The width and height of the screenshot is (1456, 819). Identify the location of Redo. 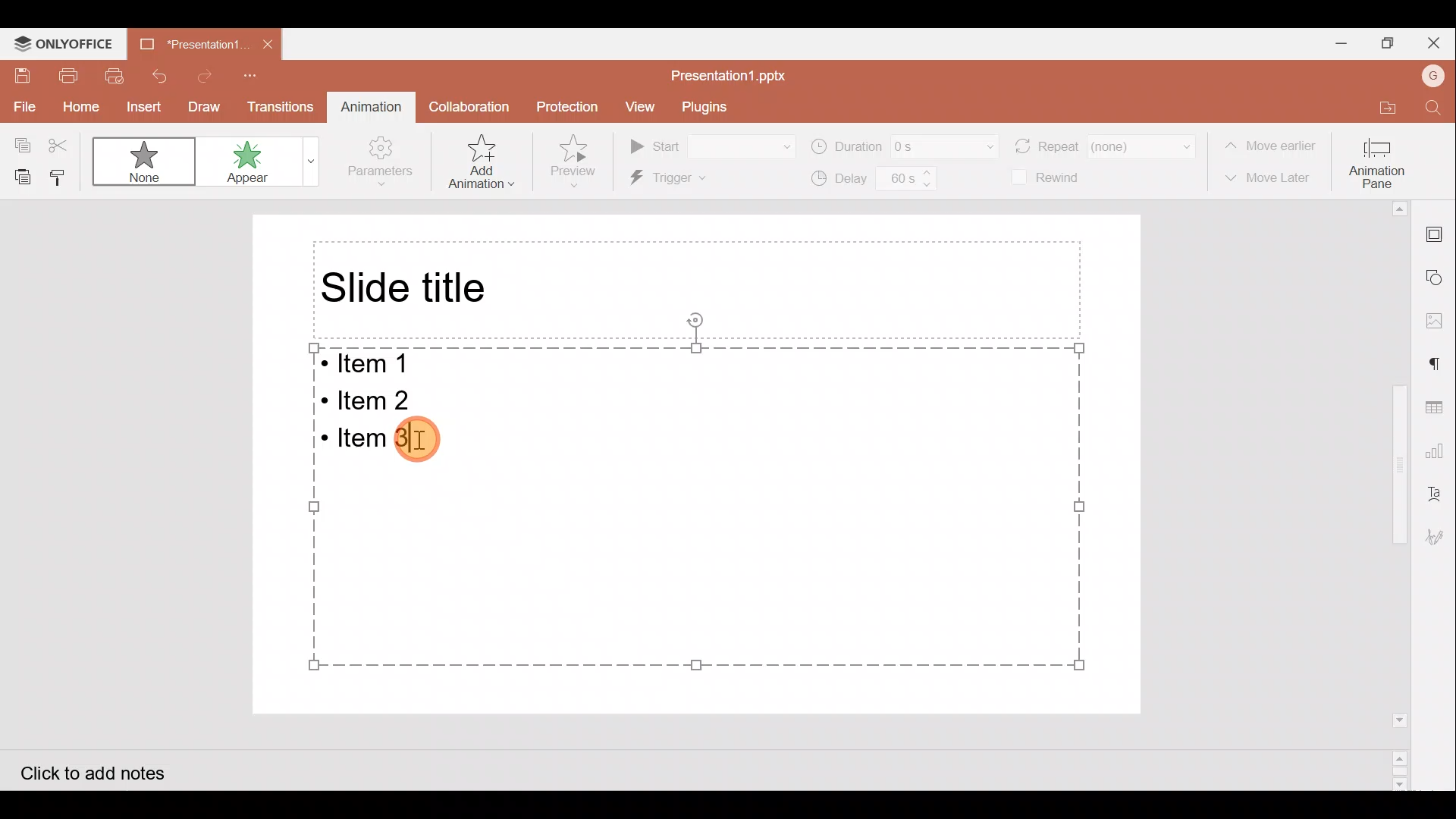
(204, 76).